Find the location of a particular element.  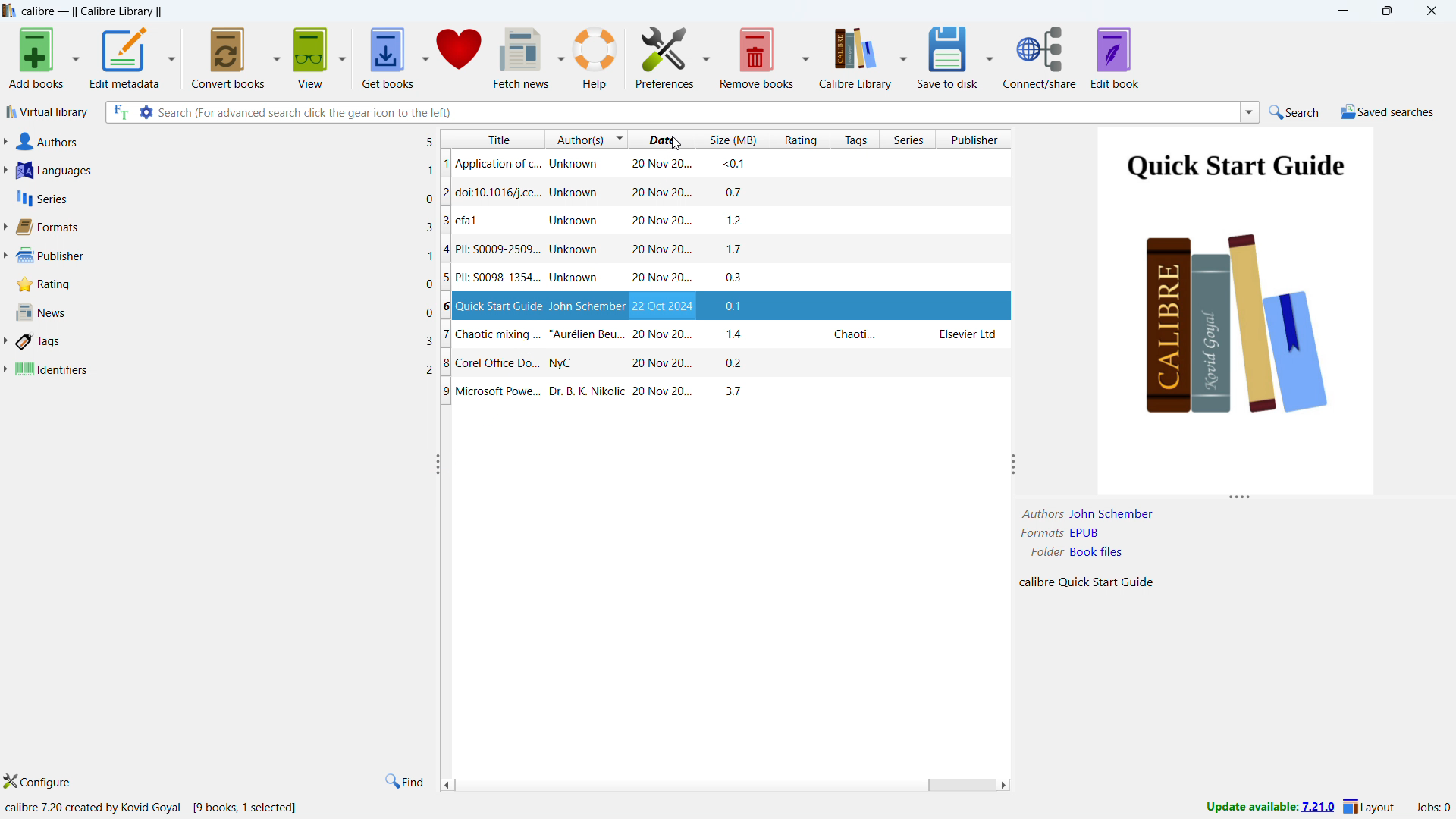

advanced serach is located at coordinates (146, 111).